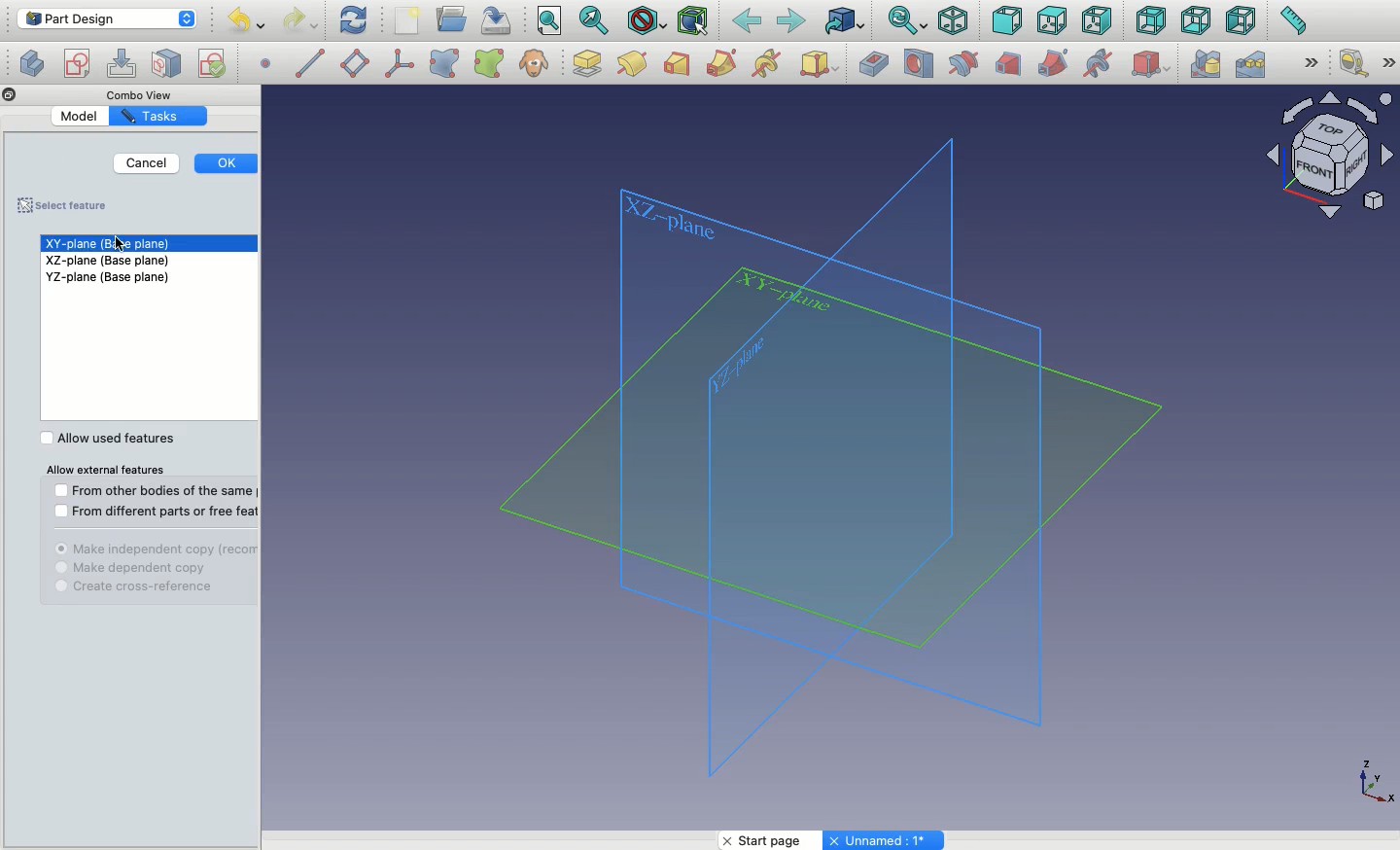 The height and width of the screenshot is (850, 1400). I want to click on Subtractive helix, so click(1098, 63).